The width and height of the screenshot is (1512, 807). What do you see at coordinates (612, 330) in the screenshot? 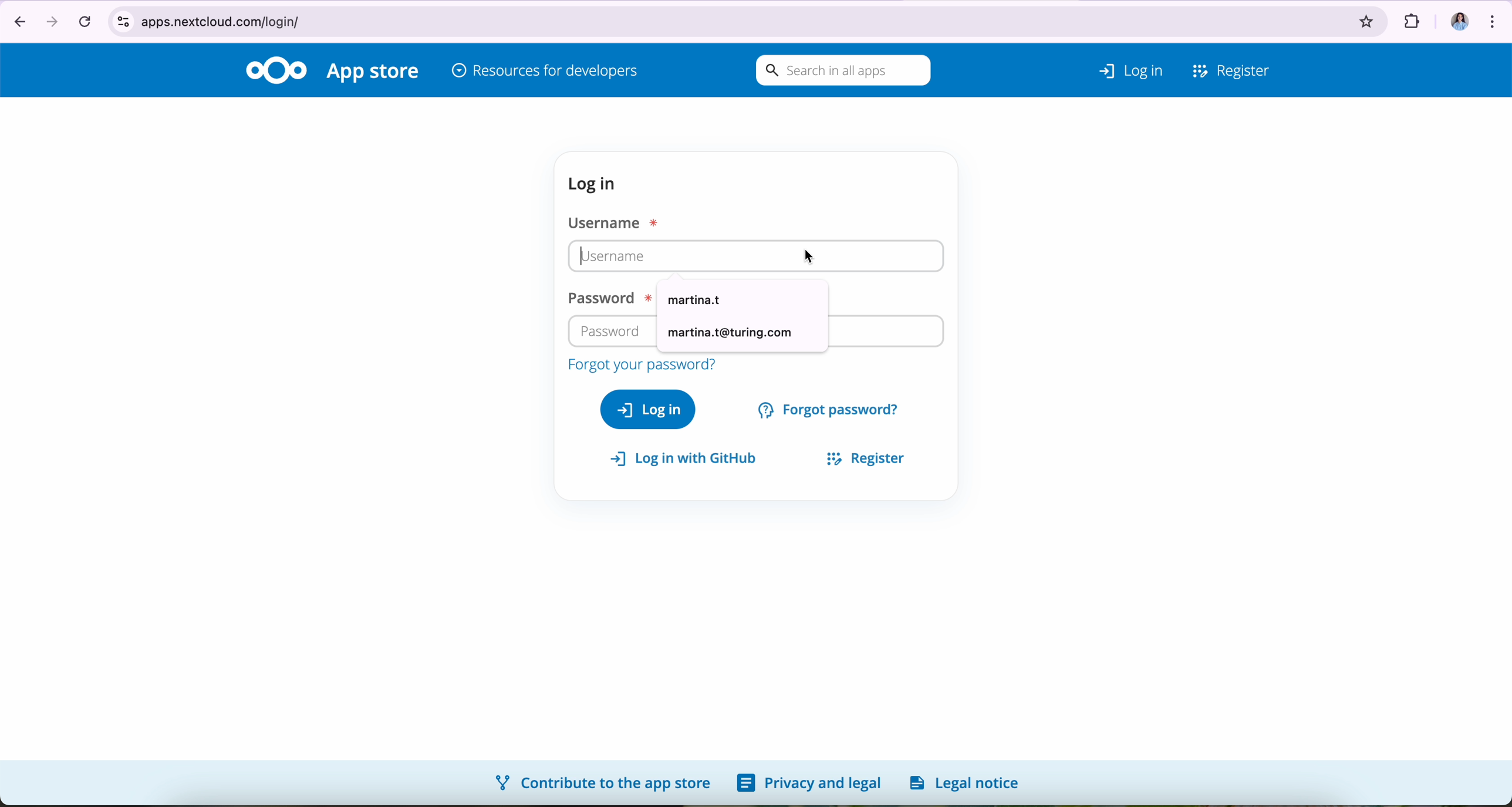
I see `password ` at bounding box center [612, 330].